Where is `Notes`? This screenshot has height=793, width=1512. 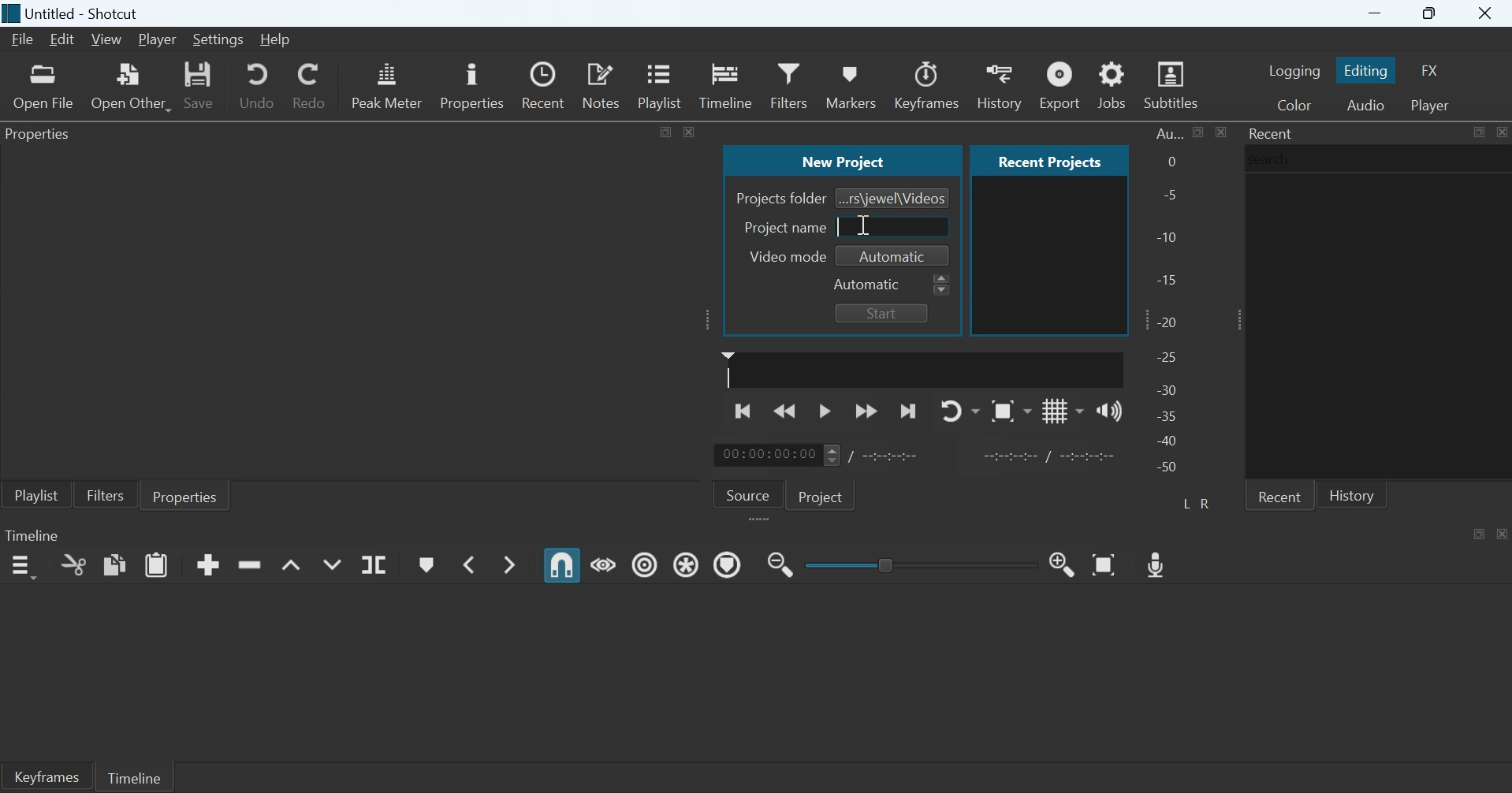
Notes is located at coordinates (603, 84).